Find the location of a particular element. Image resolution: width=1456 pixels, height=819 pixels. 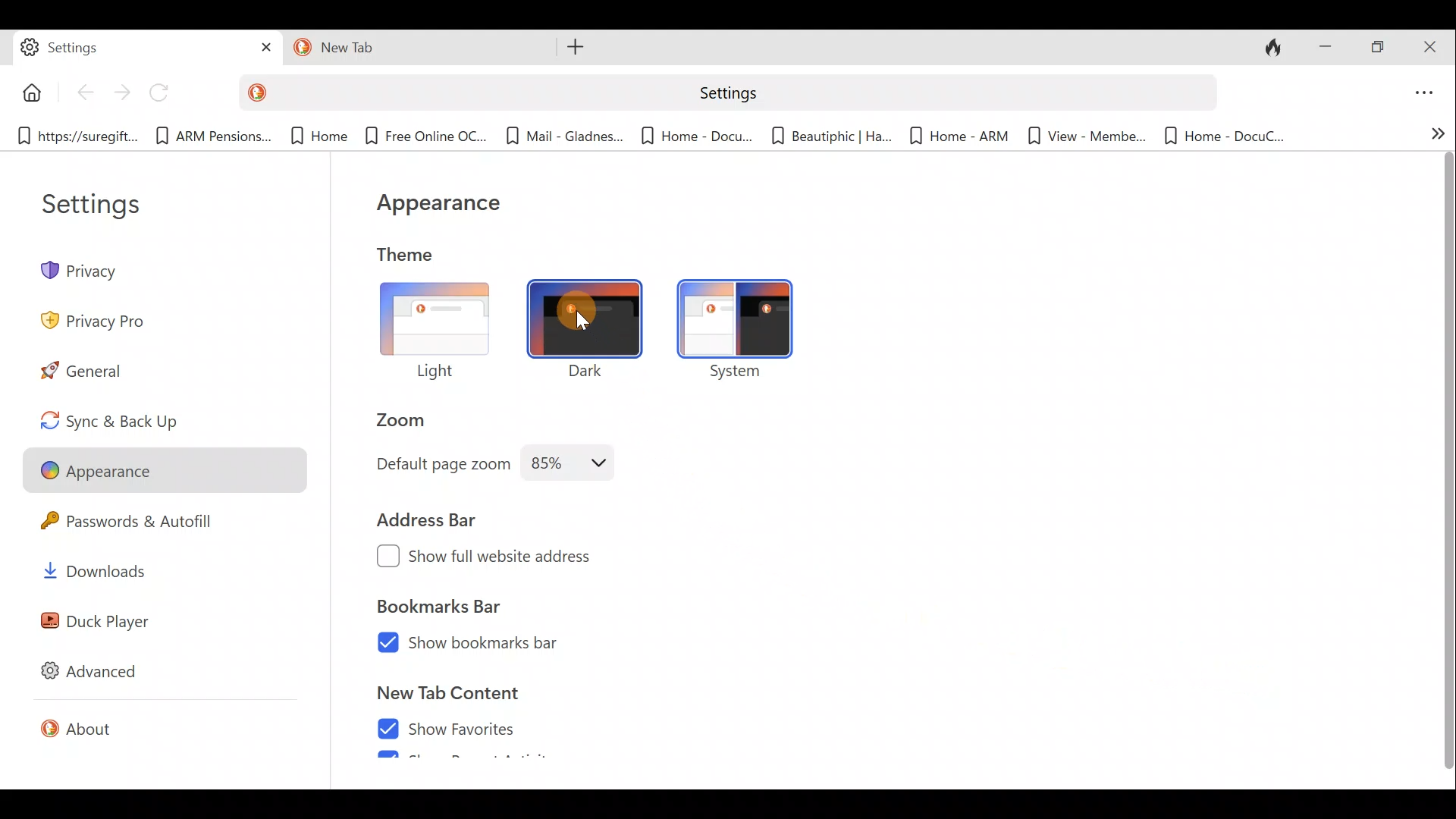

Duck player is located at coordinates (96, 622).